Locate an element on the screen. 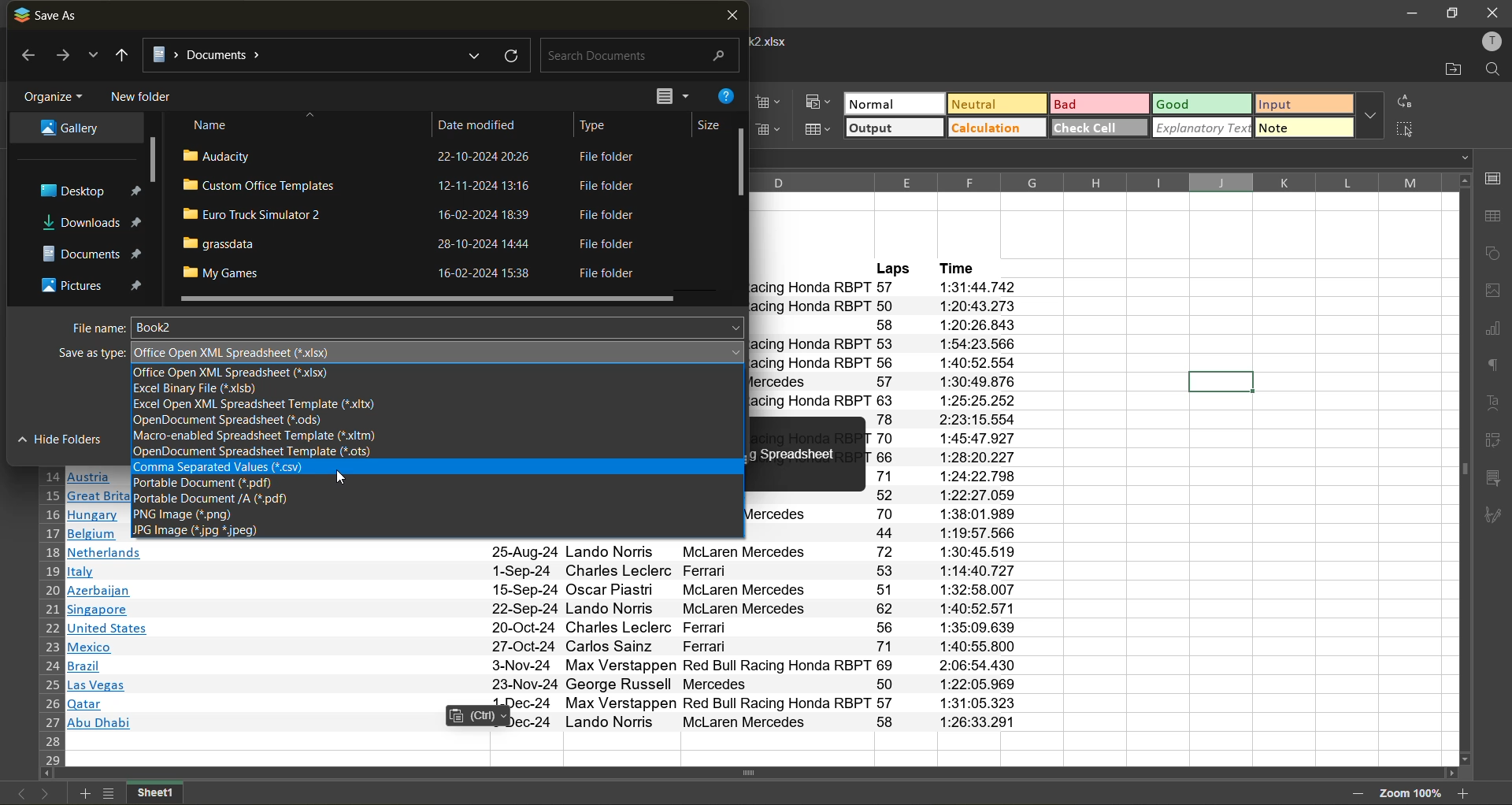  minimize is located at coordinates (1411, 14).